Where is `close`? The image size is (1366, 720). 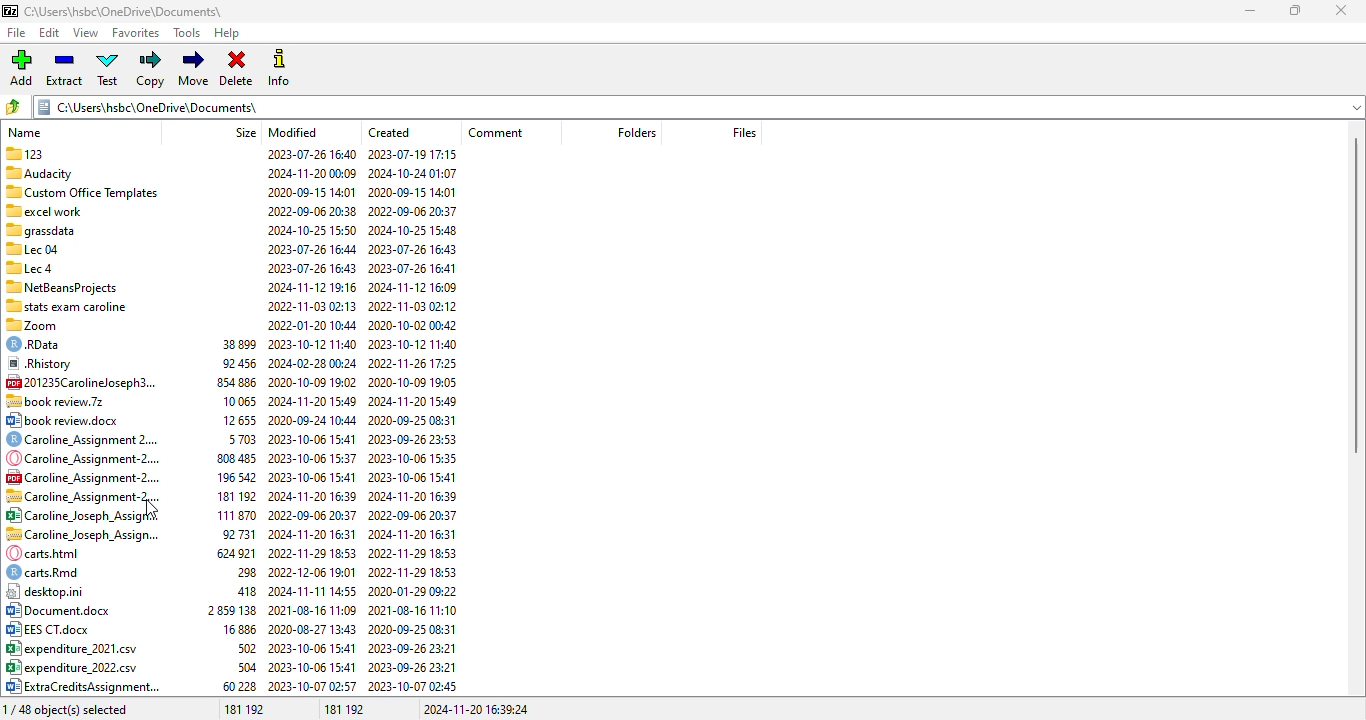
close is located at coordinates (1340, 10).